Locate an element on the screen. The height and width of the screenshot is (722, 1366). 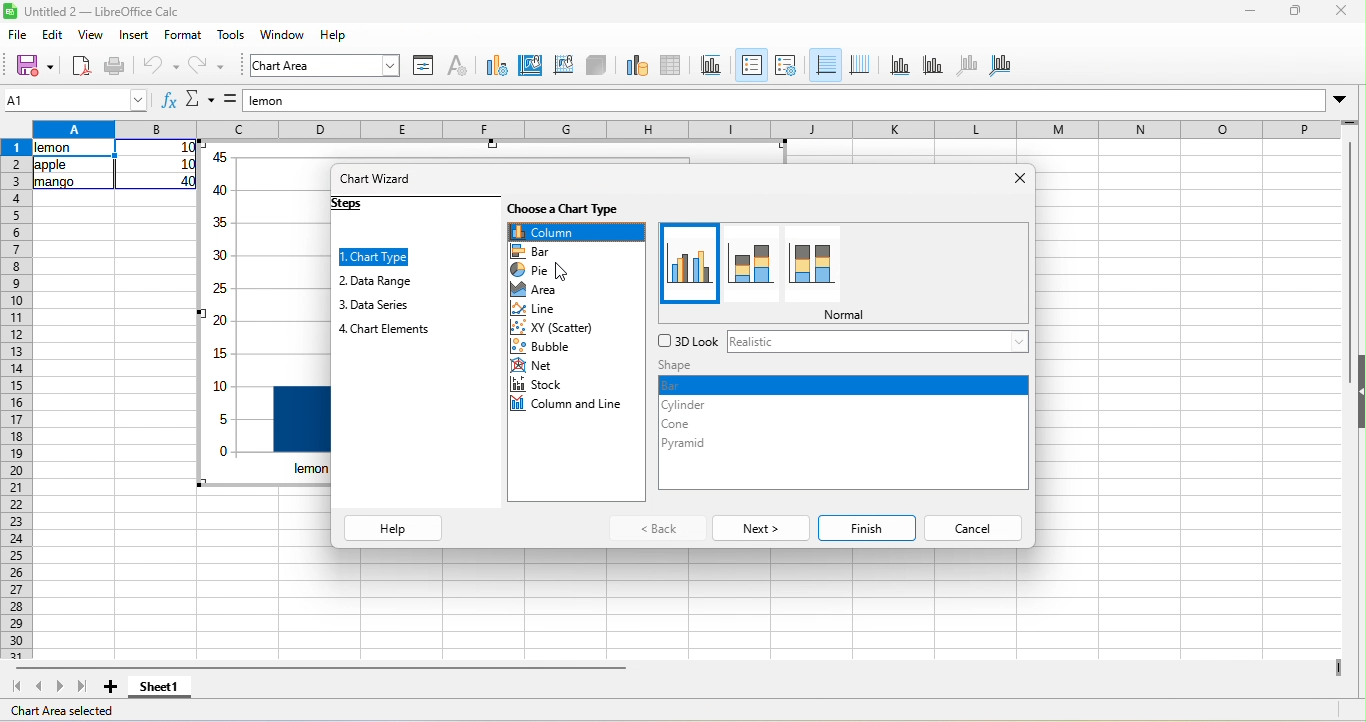
column headings is located at coordinates (682, 128).